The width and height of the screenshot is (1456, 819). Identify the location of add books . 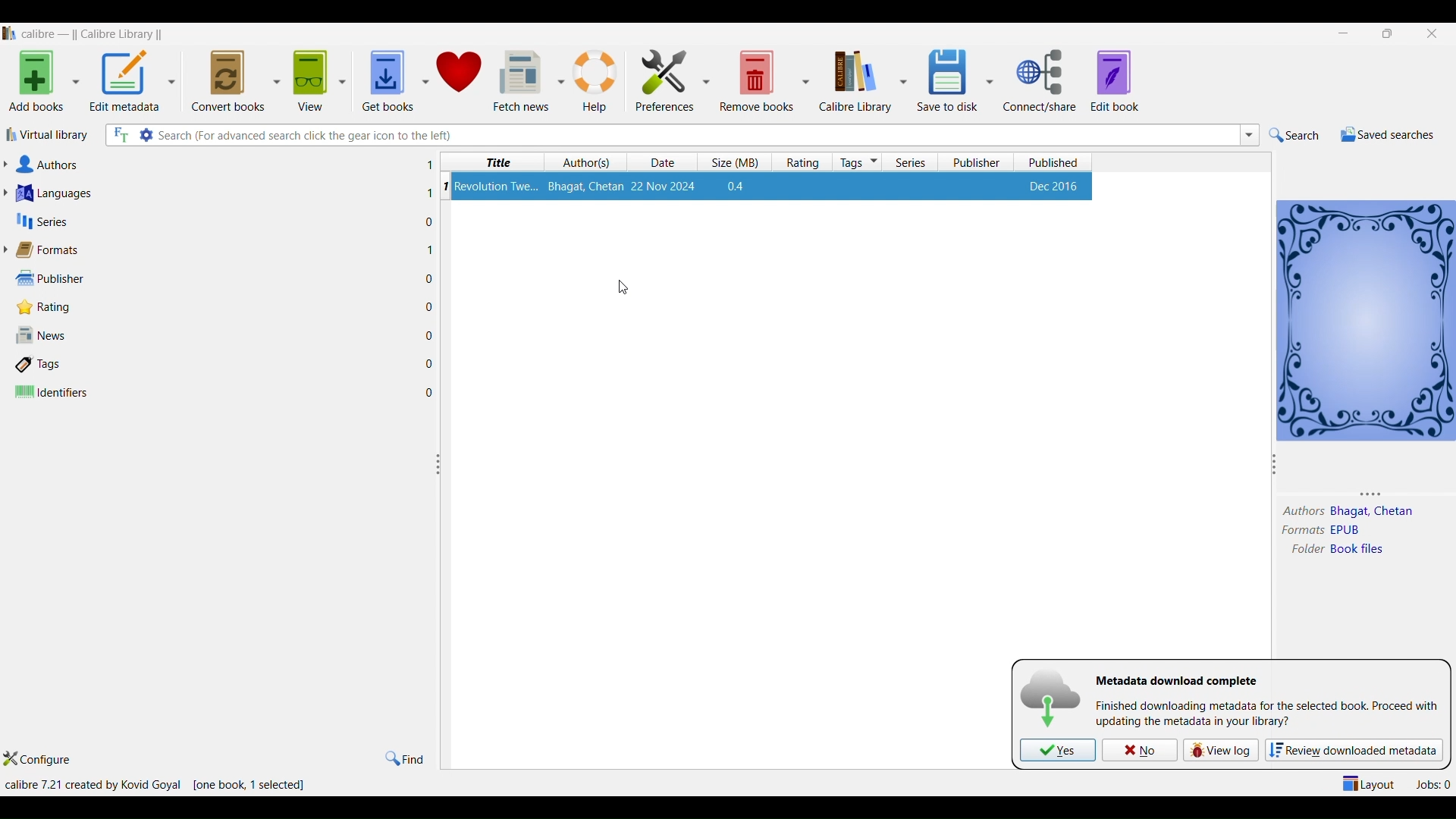
(34, 80).